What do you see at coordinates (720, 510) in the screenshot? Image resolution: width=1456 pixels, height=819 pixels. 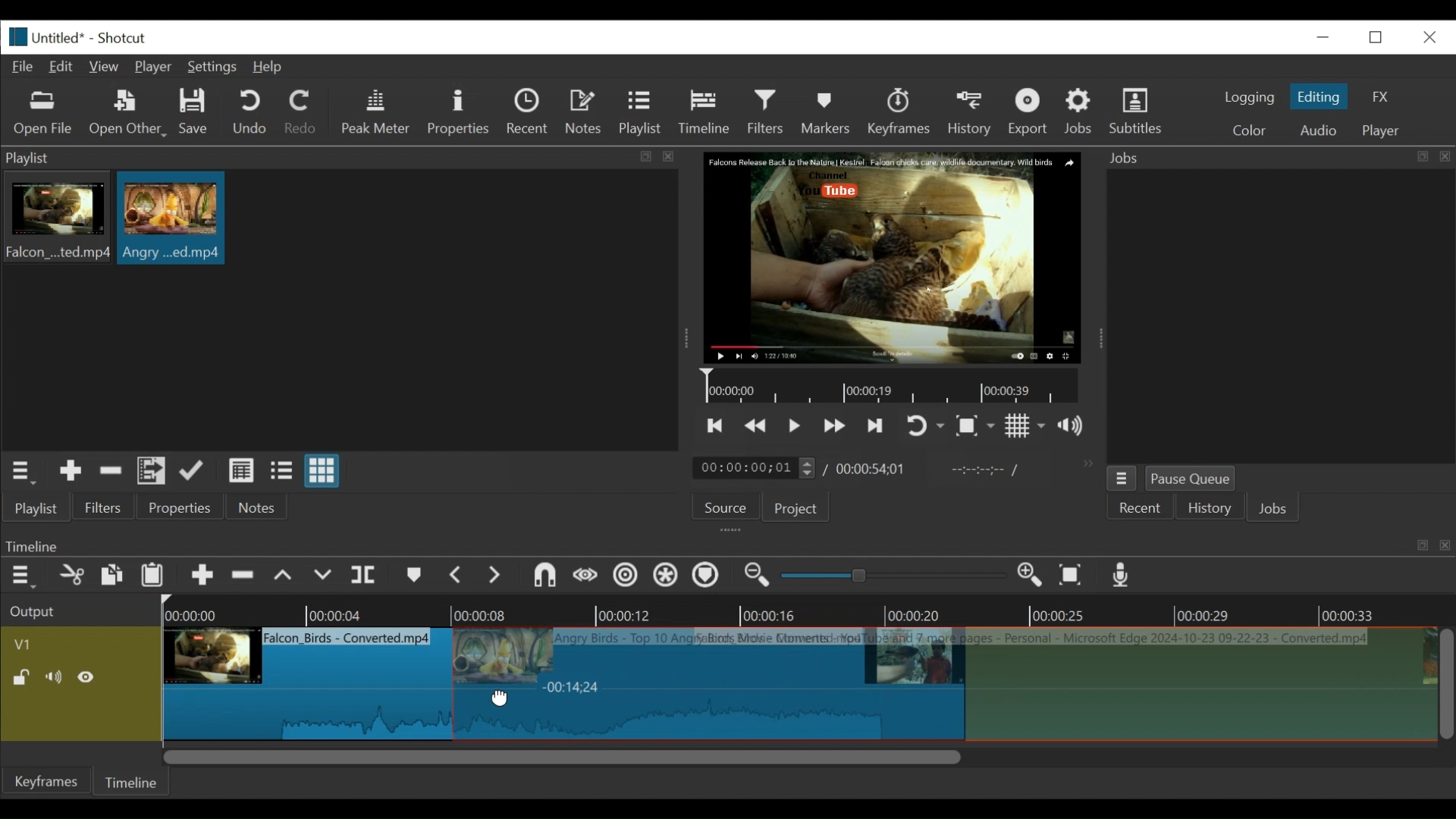 I see `Source` at bounding box center [720, 510].